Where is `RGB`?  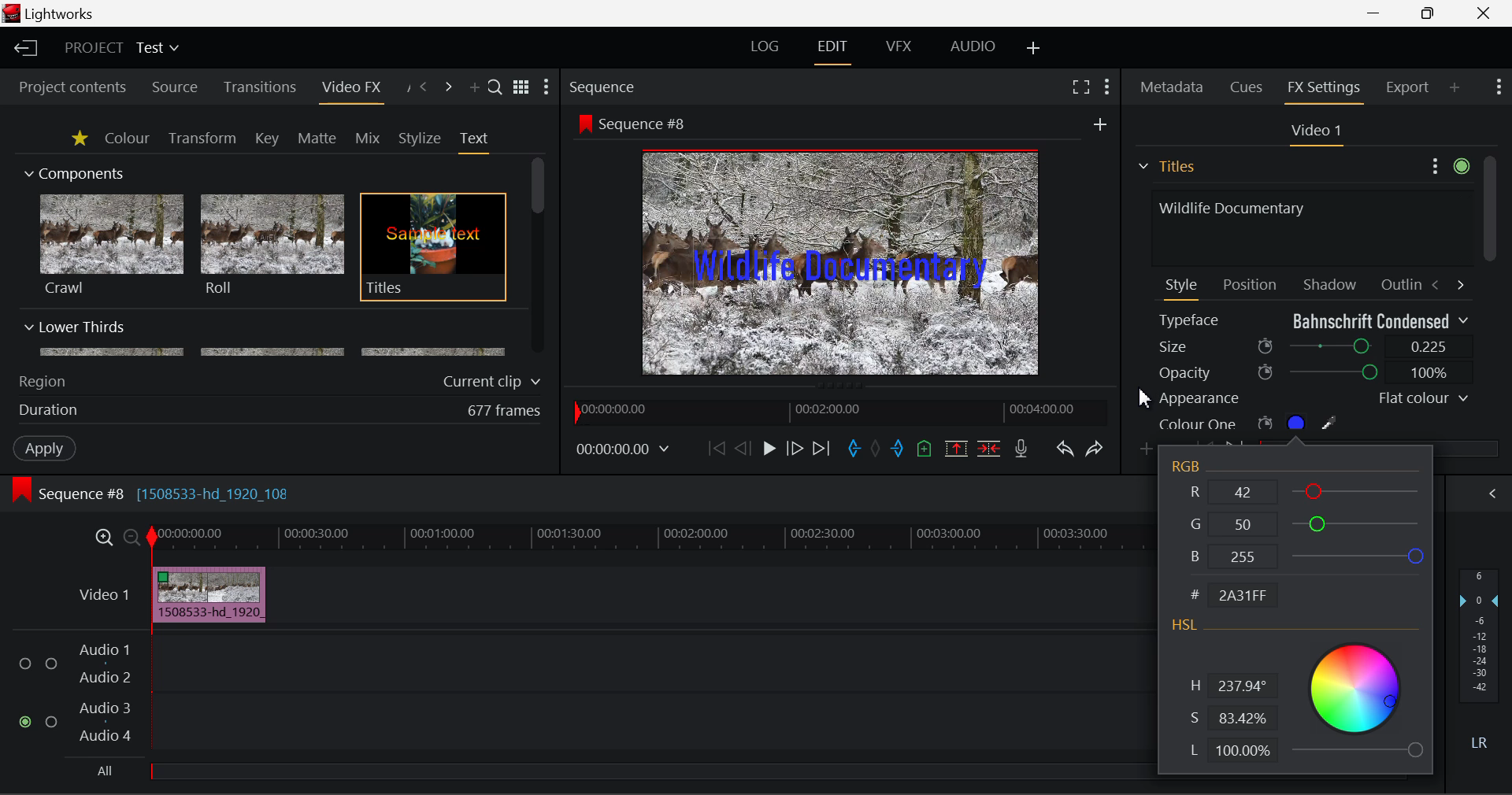
RGB is located at coordinates (1189, 467).